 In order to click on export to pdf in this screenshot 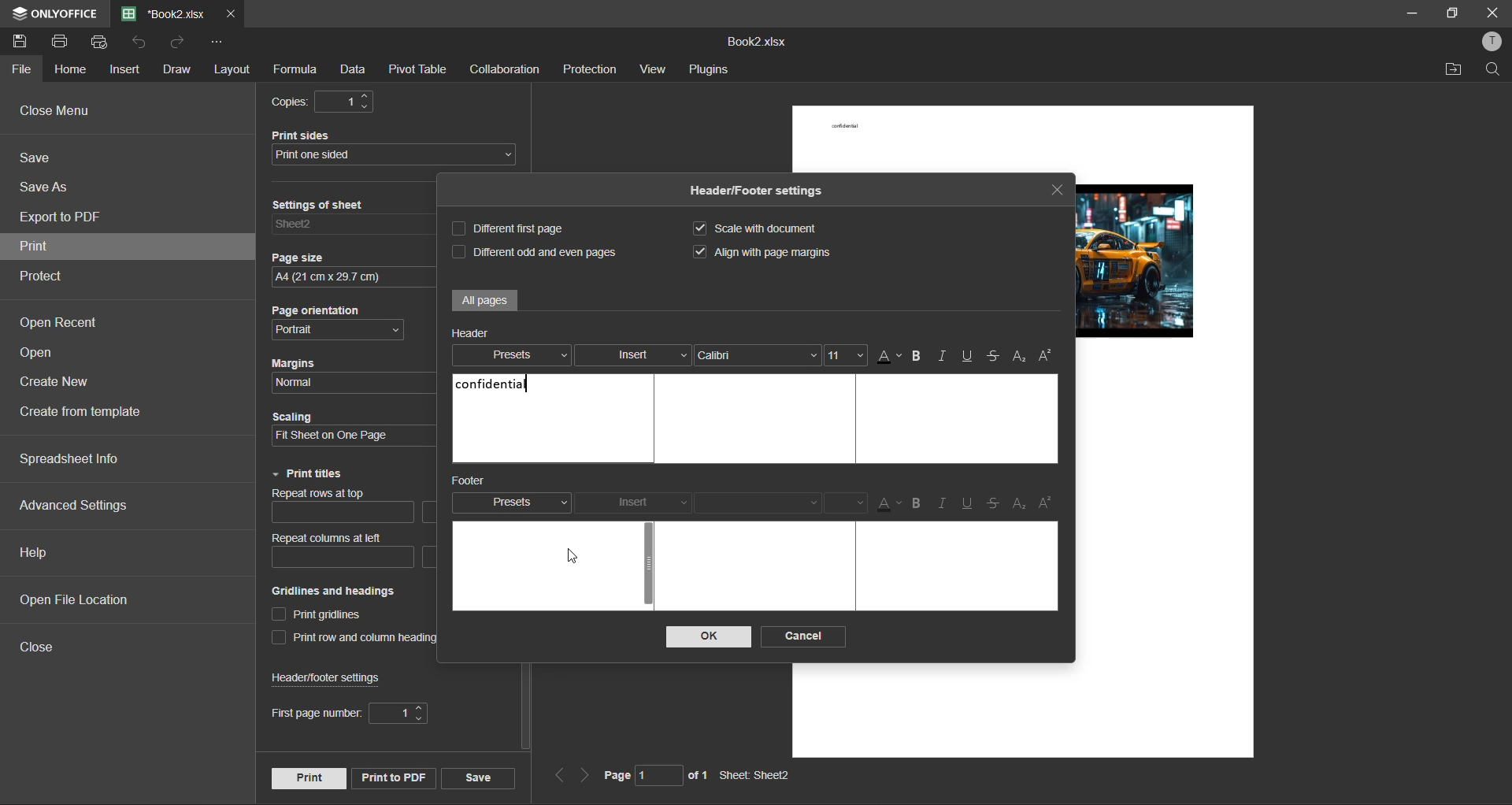, I will do `click(65, 215)`.